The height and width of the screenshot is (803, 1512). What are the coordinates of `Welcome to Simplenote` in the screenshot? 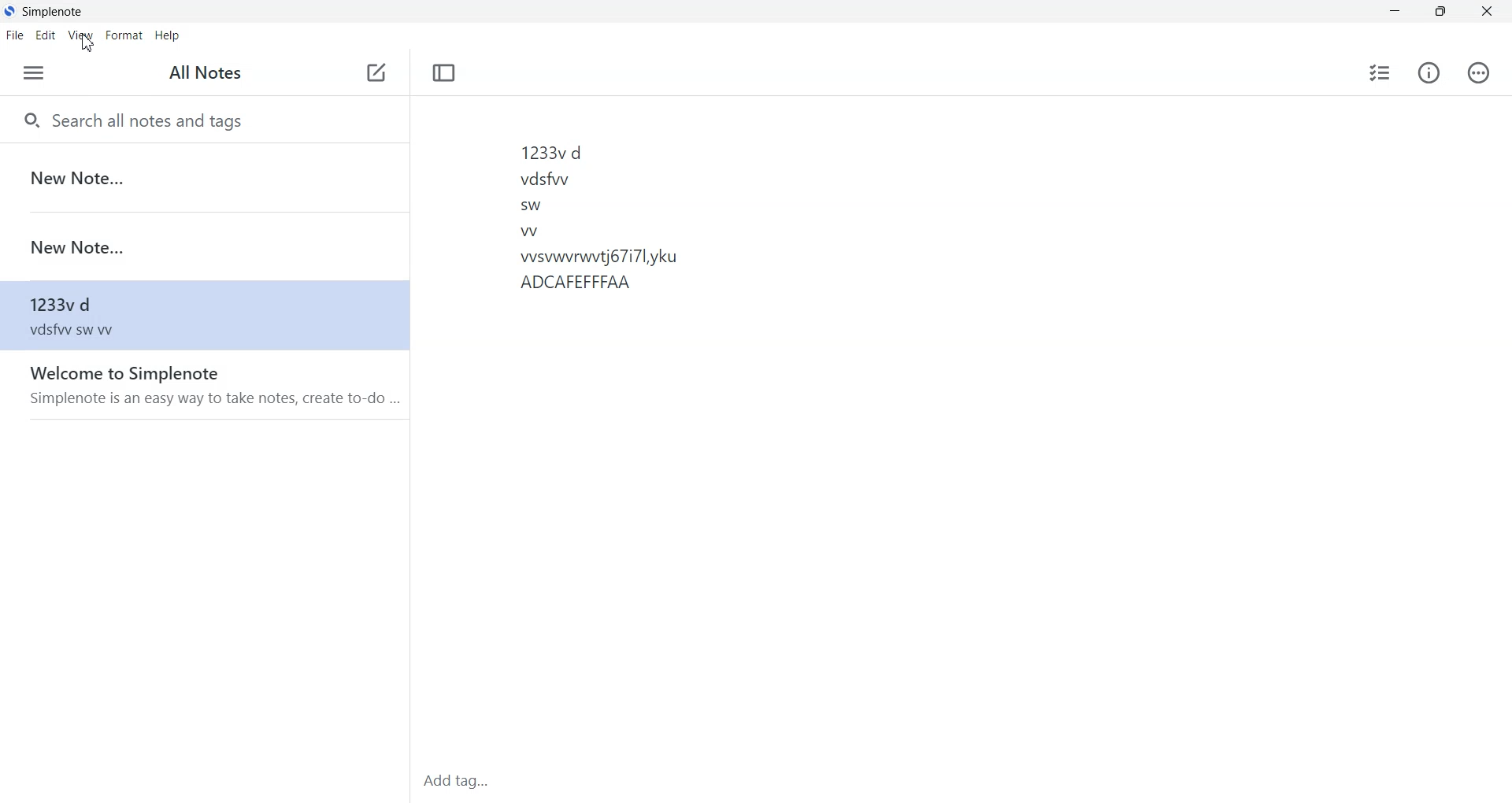 It's located at (206, 383).